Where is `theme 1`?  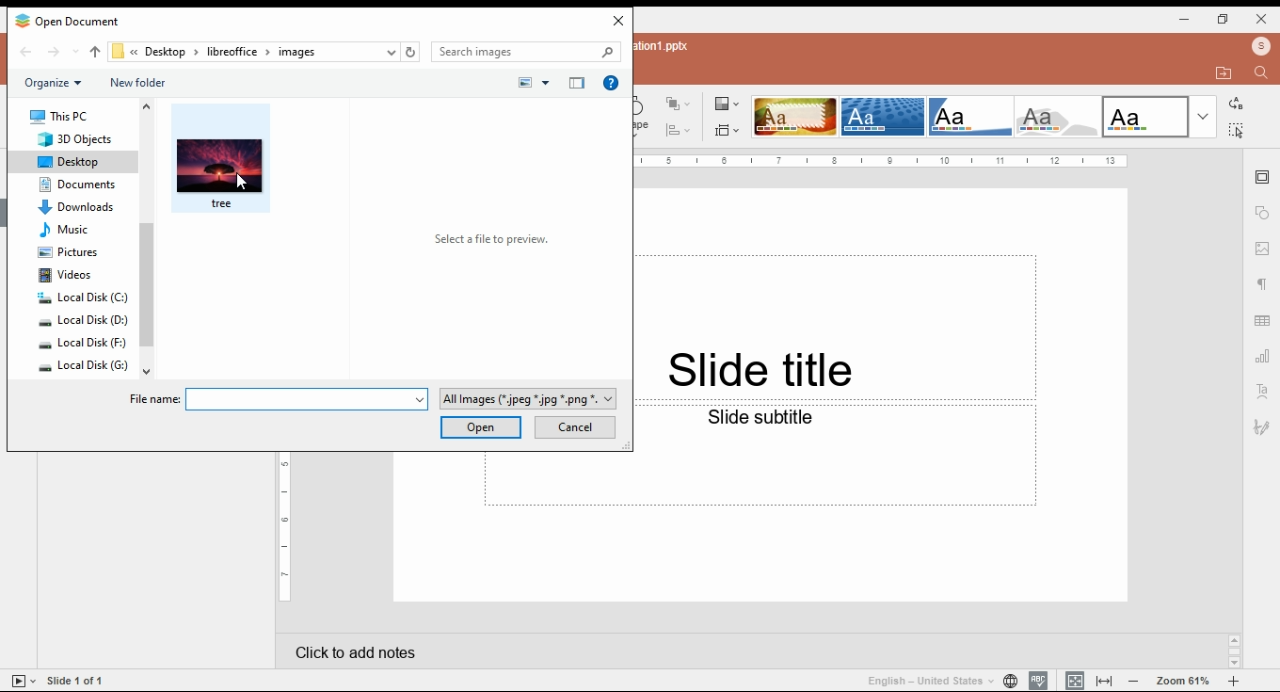
theme 1 is located at coordinates (793, 117).